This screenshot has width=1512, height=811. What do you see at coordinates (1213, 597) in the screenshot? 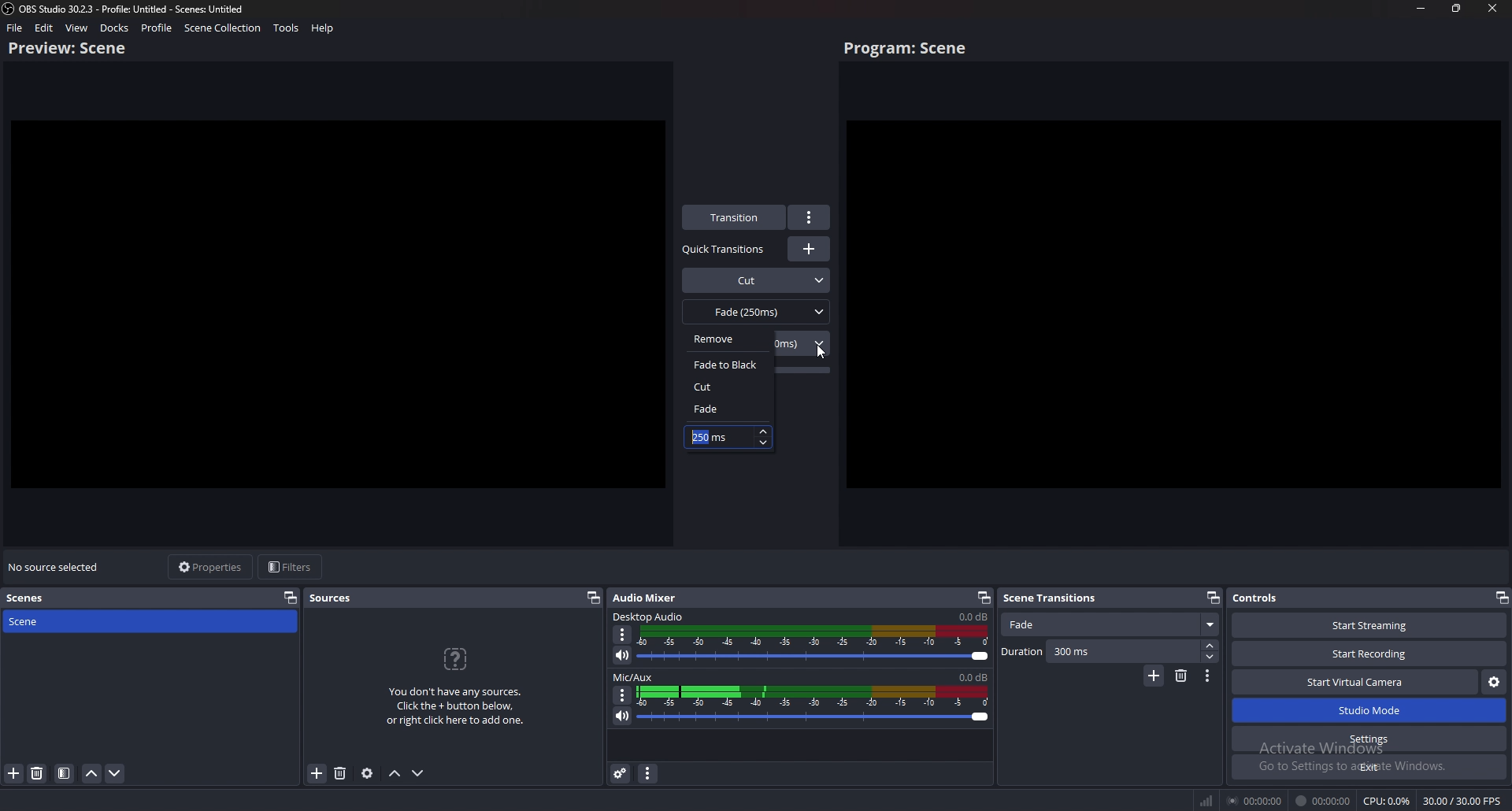
I see `Pop out` at bounding box center [1213, 597].